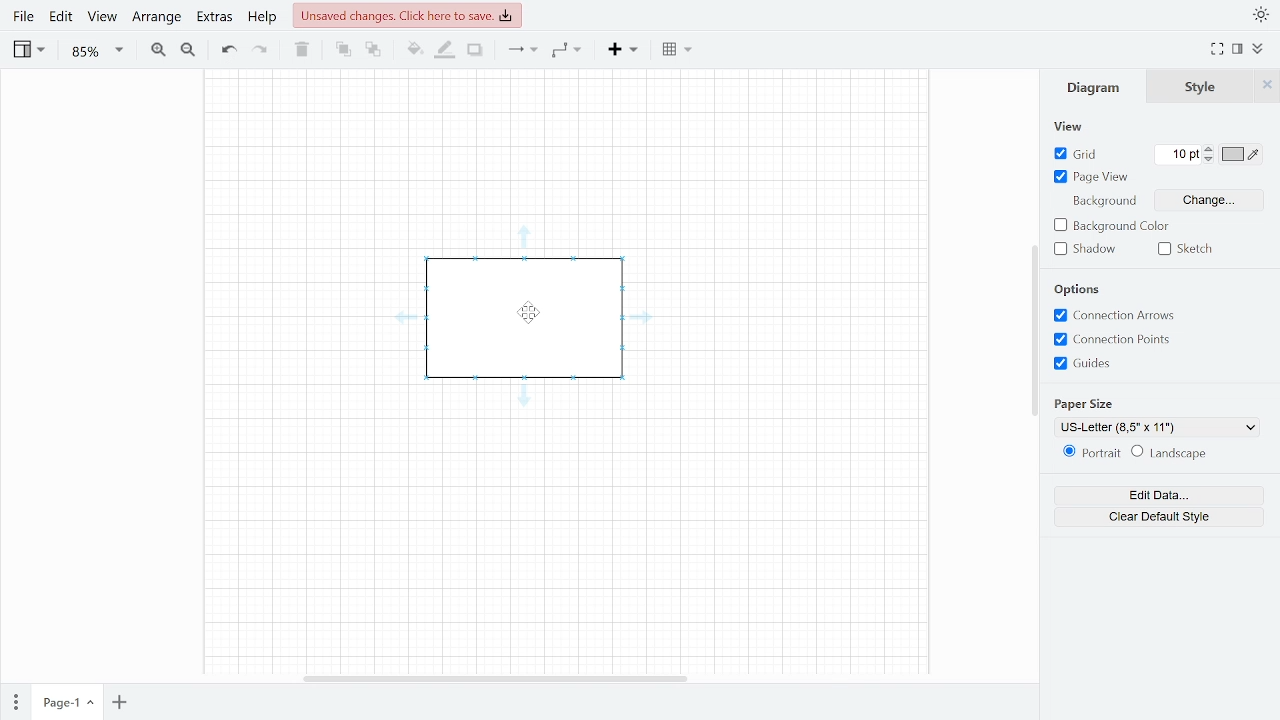 This screenshot has height=720, width=1280. Describe the element at coordinates (1259, 49) in the screenshot. I see `Collapse` at that location.